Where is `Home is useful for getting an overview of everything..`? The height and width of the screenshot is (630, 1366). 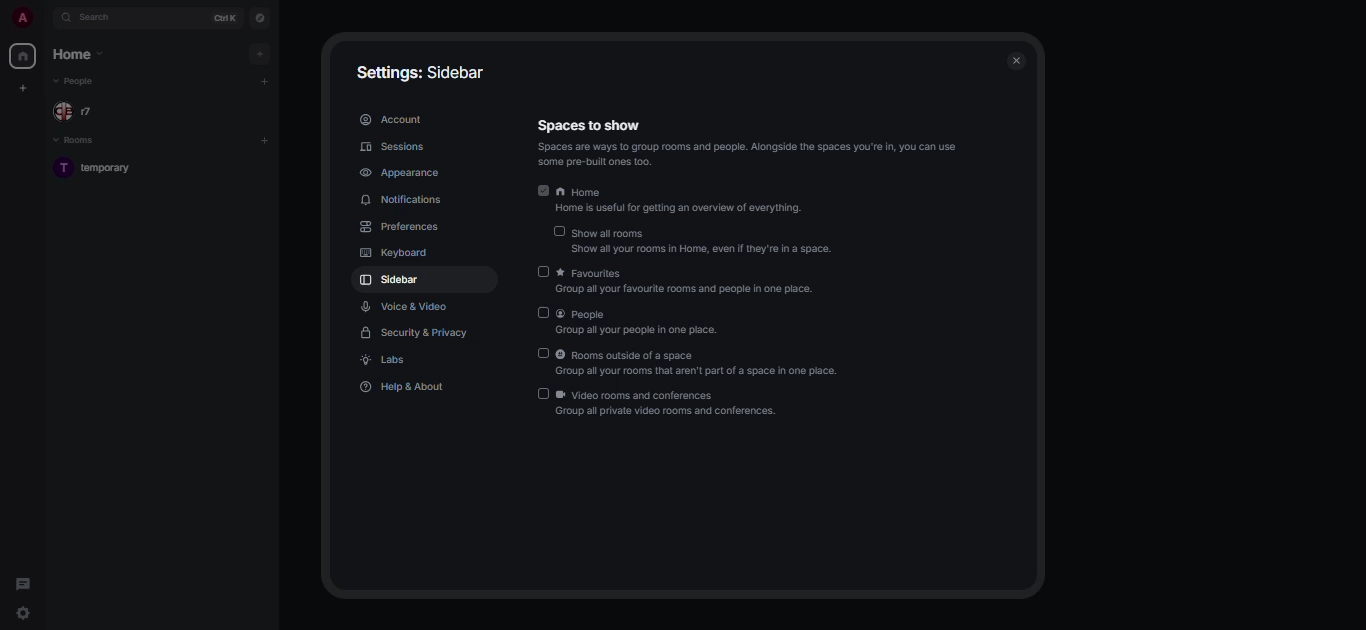 Home is useful for getting an overview of everything.. is located at coordinates (688, 210).